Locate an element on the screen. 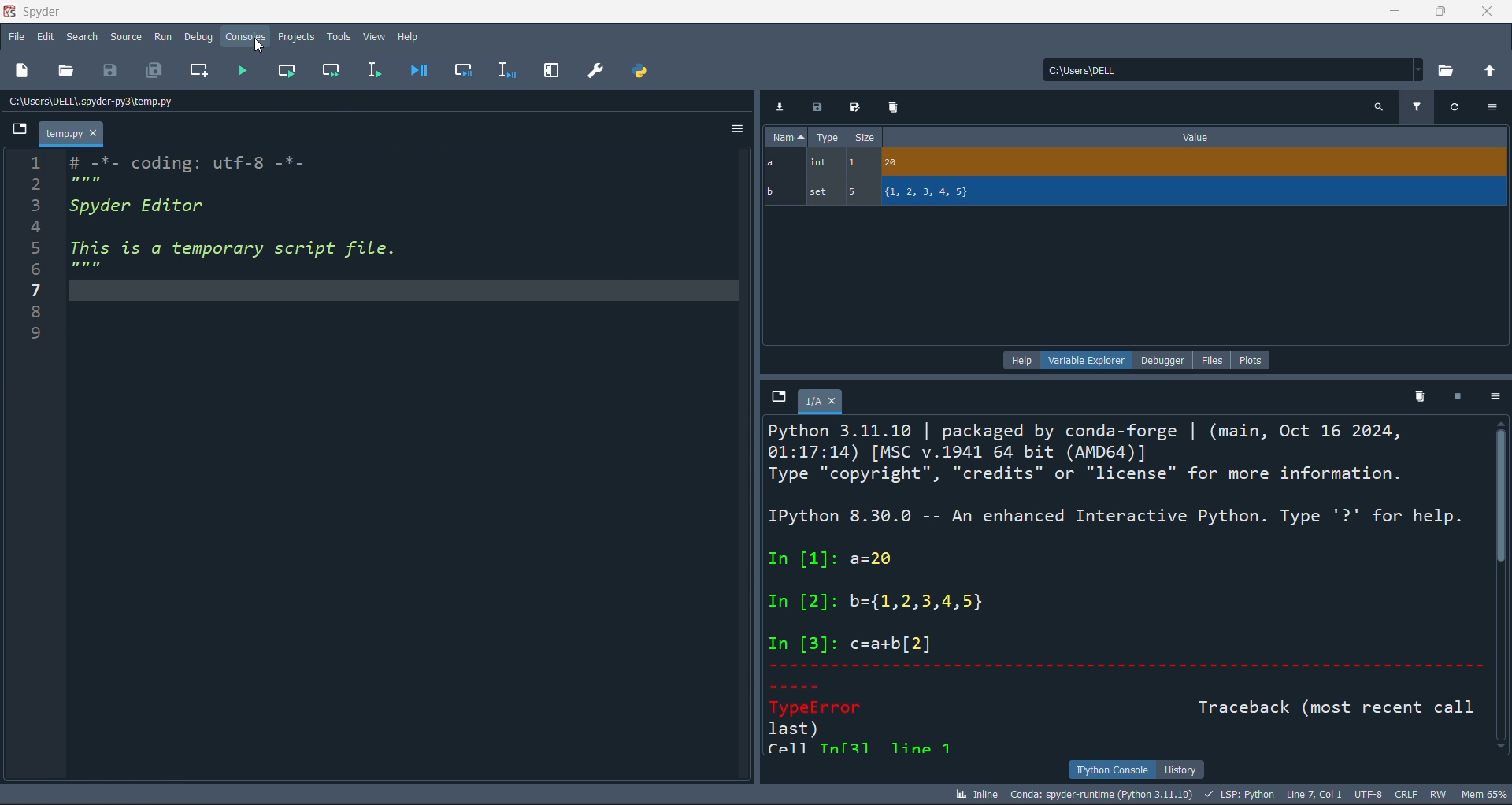  run line is located at coordinates (375, 69).